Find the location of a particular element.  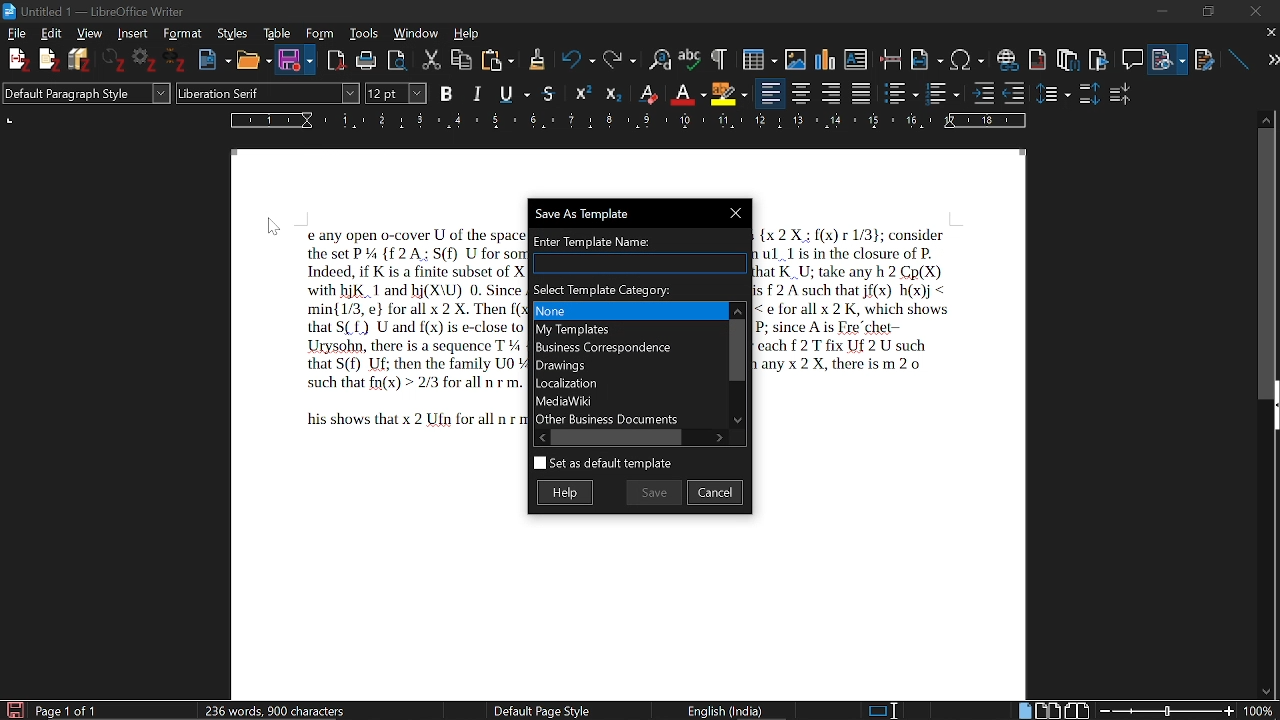

 is located at coordinates (717, 58).